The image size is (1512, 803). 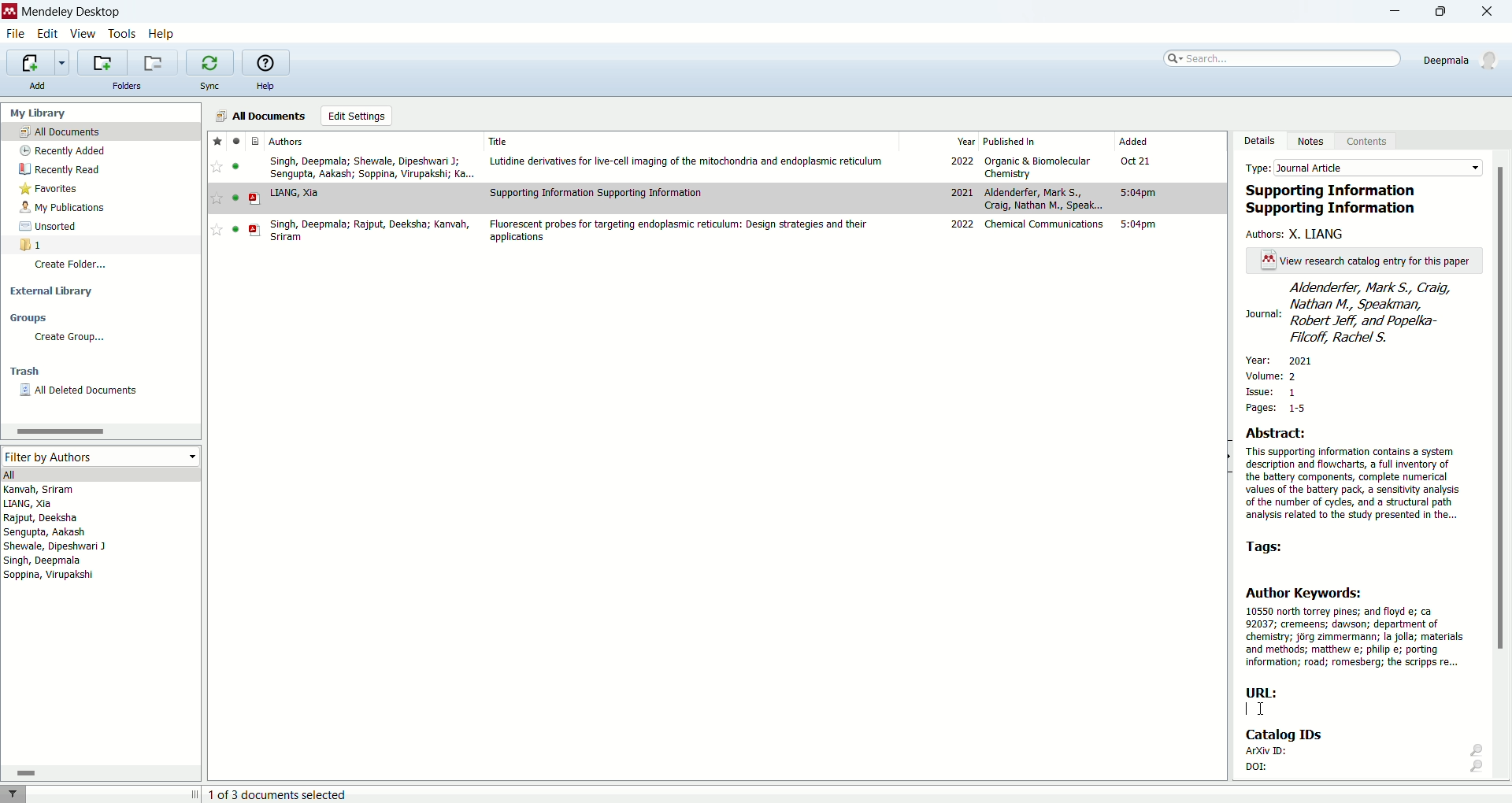 What do you see at coordinates (963, 224) in the screenshot?
I see `2022` at bounding box center [963, 224].